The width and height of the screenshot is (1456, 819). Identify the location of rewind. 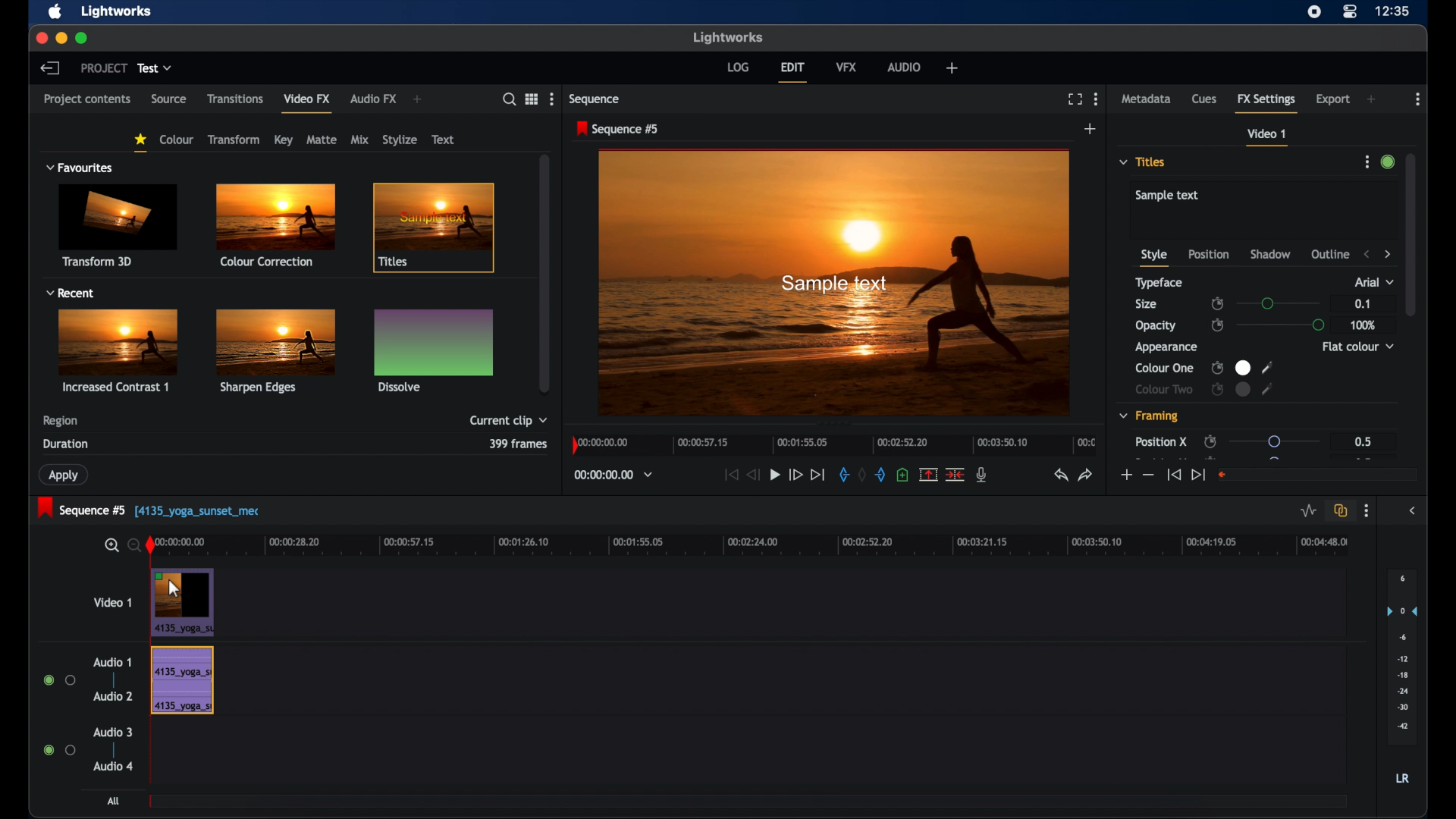
(755, 475).